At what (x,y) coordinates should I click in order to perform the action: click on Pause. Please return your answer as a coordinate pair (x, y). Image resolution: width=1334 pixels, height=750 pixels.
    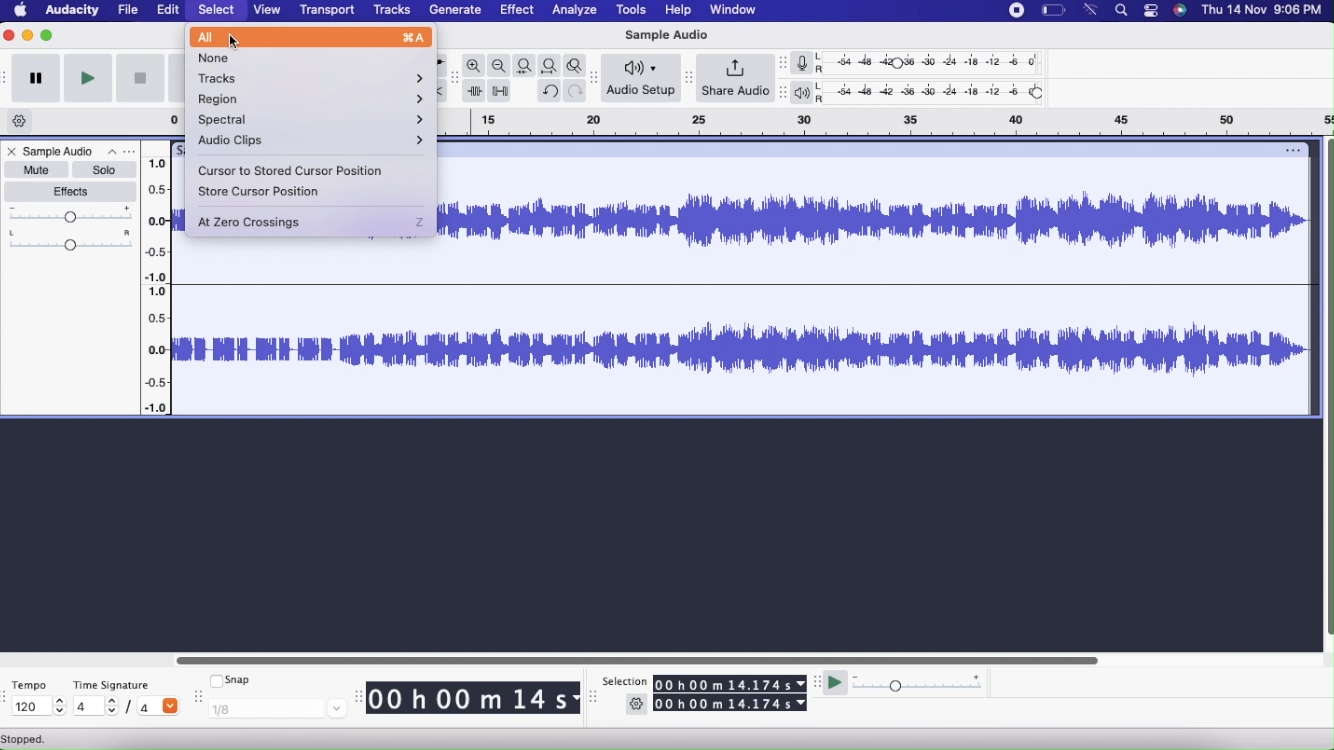
    Looking at the image, I should click on (37, 79).